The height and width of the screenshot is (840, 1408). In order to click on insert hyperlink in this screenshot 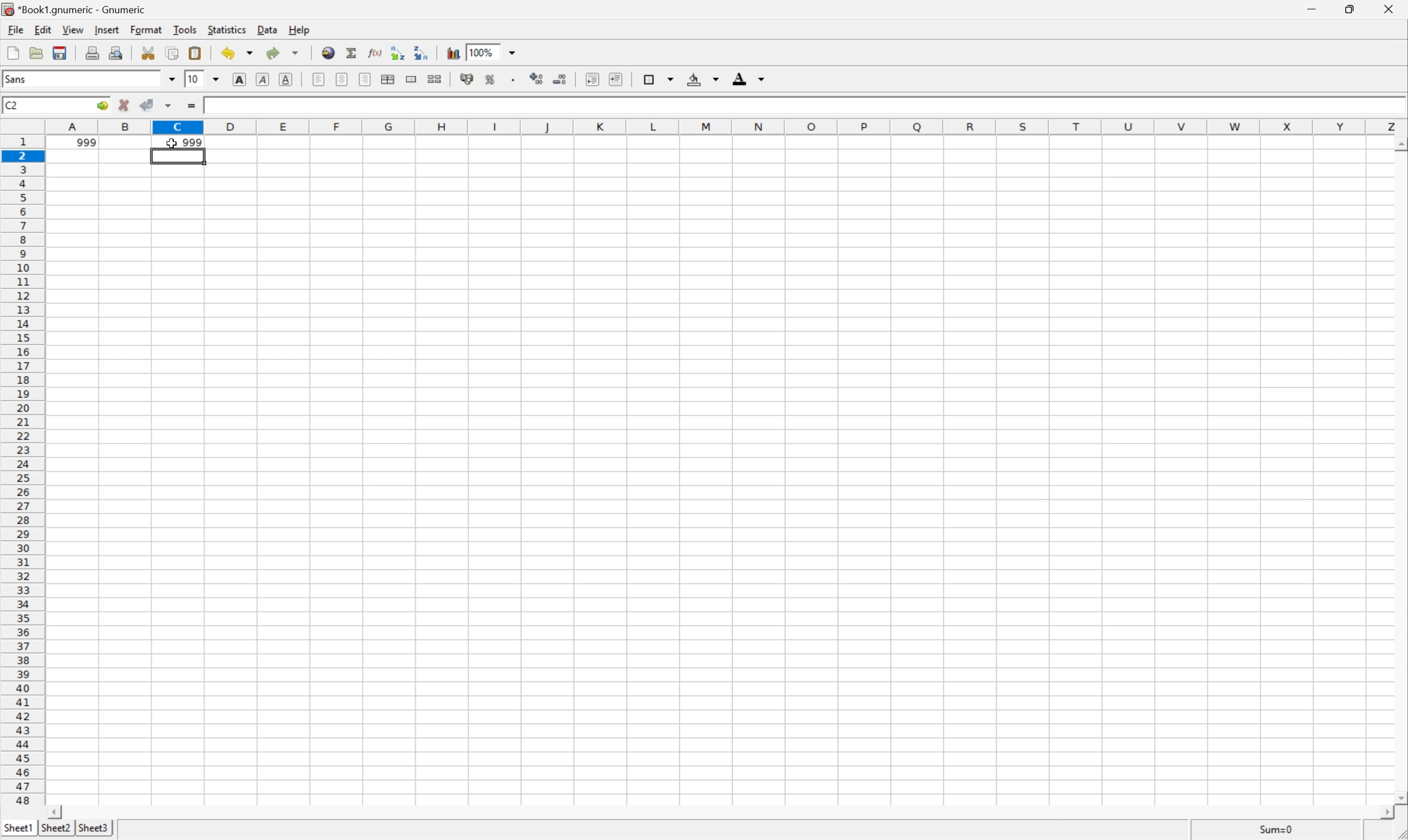, I will do `click(327, 53)`.